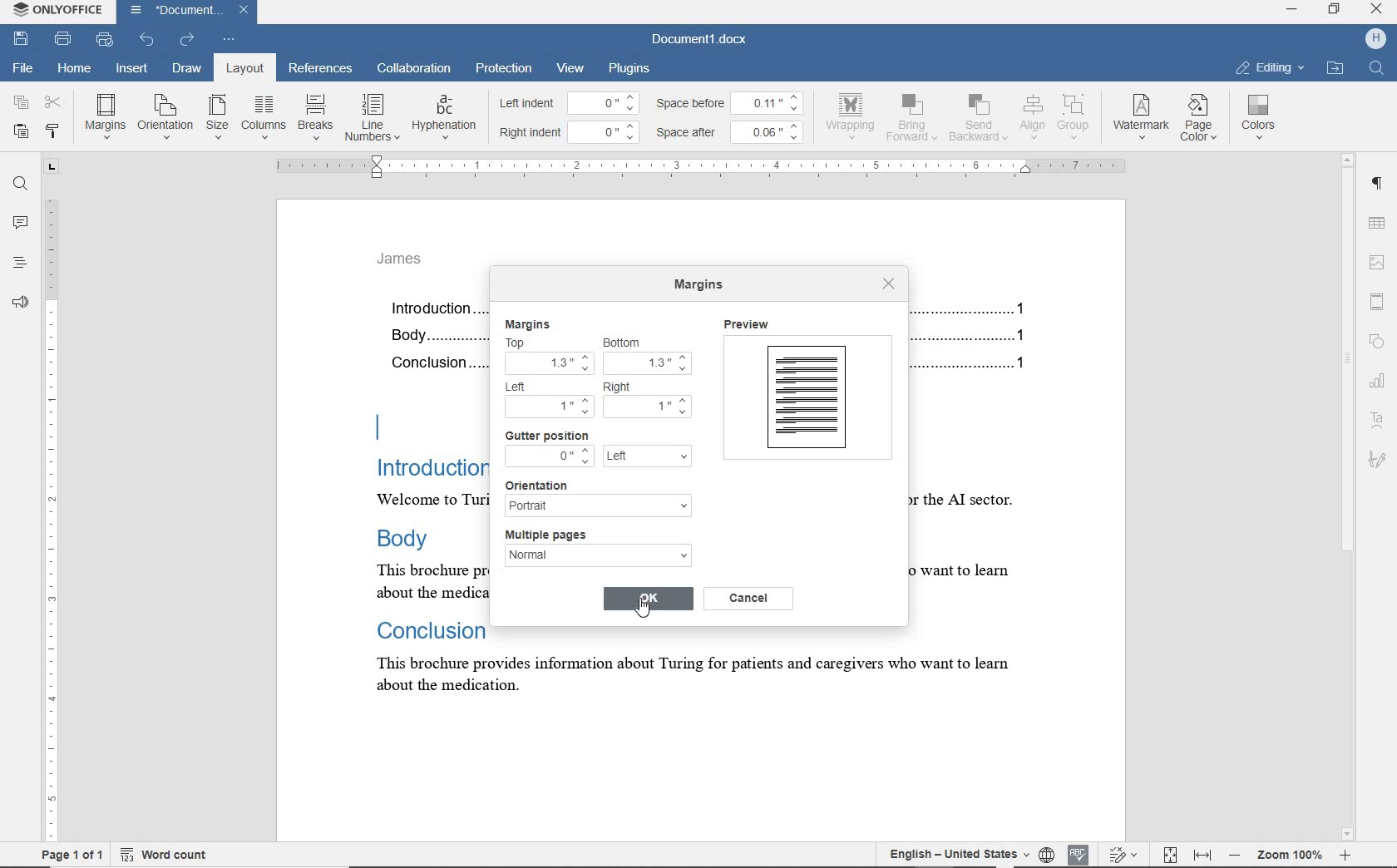 The width and height of the screenshot is (1397, 868). Describe the element at coordinates (548, 484) in the screenshot. I see `orientation` at that location.